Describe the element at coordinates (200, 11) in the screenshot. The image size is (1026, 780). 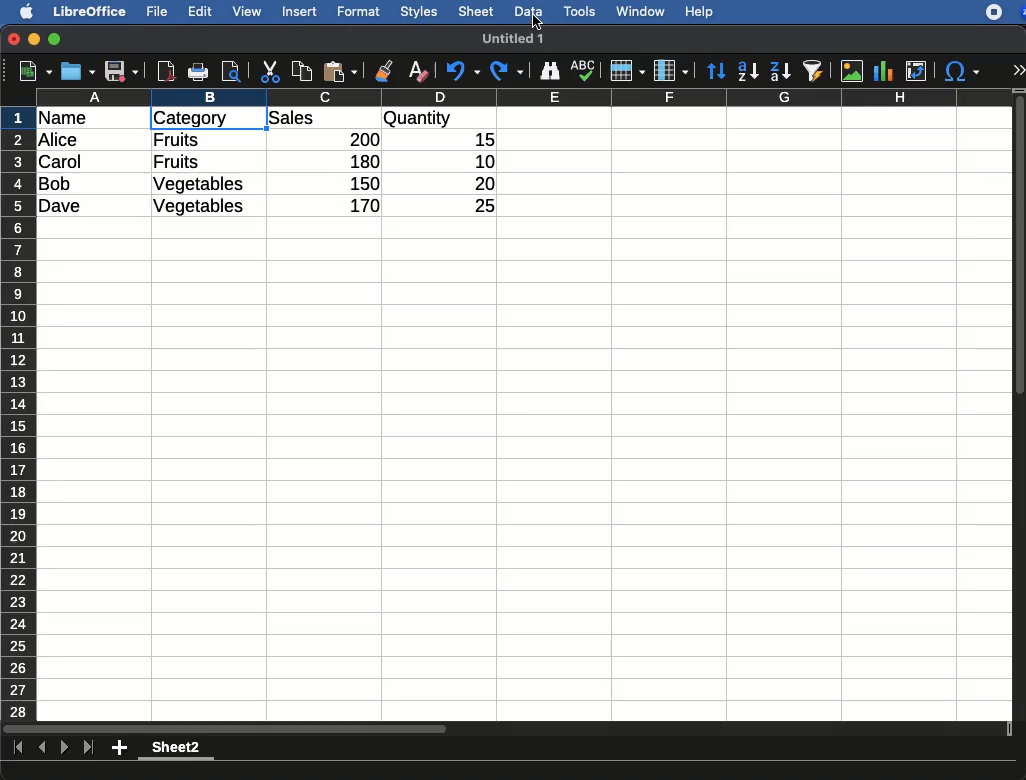
I see `edit` at that location.